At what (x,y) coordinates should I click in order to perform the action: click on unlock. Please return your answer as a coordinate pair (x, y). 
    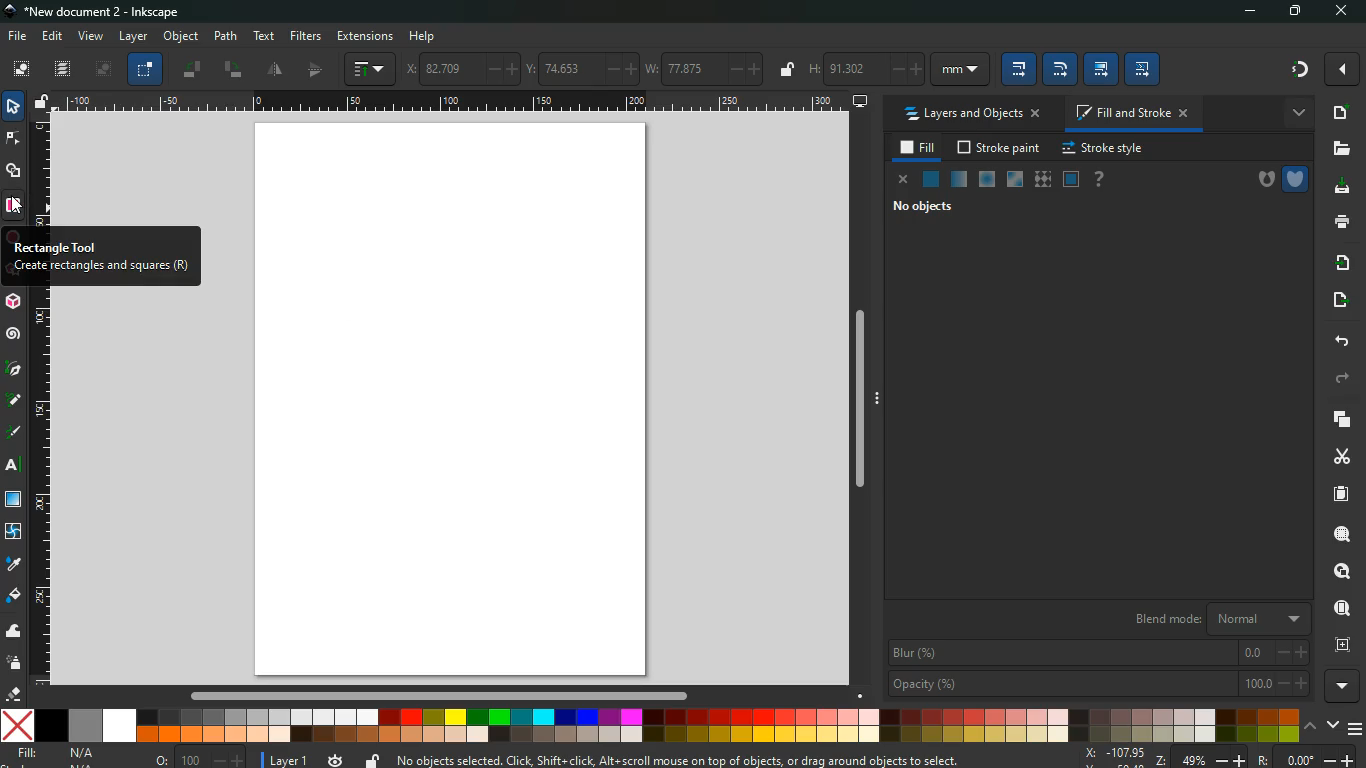
    Looking at the image, I should click on (45, 104).